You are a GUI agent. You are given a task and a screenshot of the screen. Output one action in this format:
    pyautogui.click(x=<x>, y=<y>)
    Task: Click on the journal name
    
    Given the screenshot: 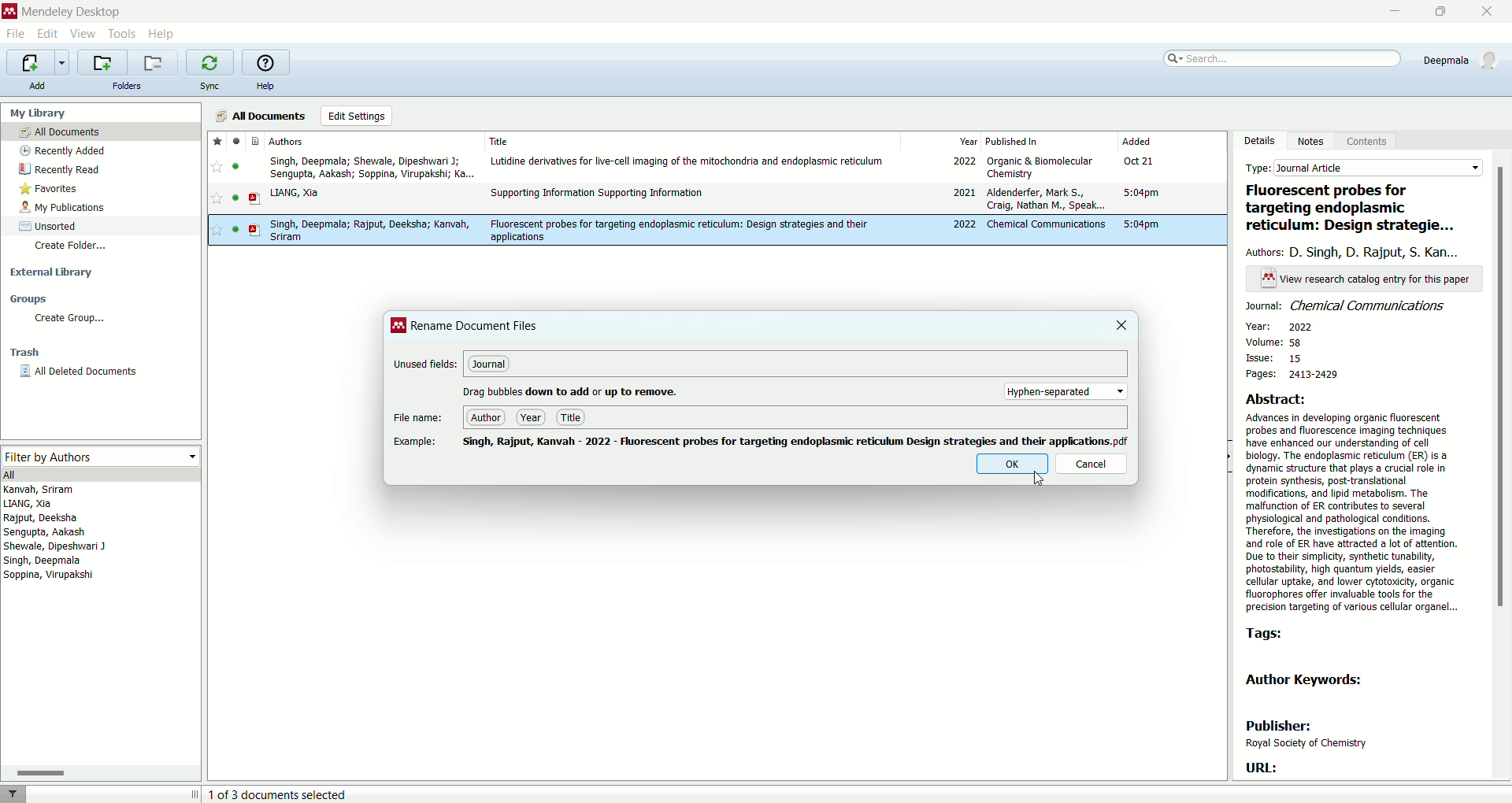 What is the action you would take?
    pyautogui.click(x=1350, y=306)
    